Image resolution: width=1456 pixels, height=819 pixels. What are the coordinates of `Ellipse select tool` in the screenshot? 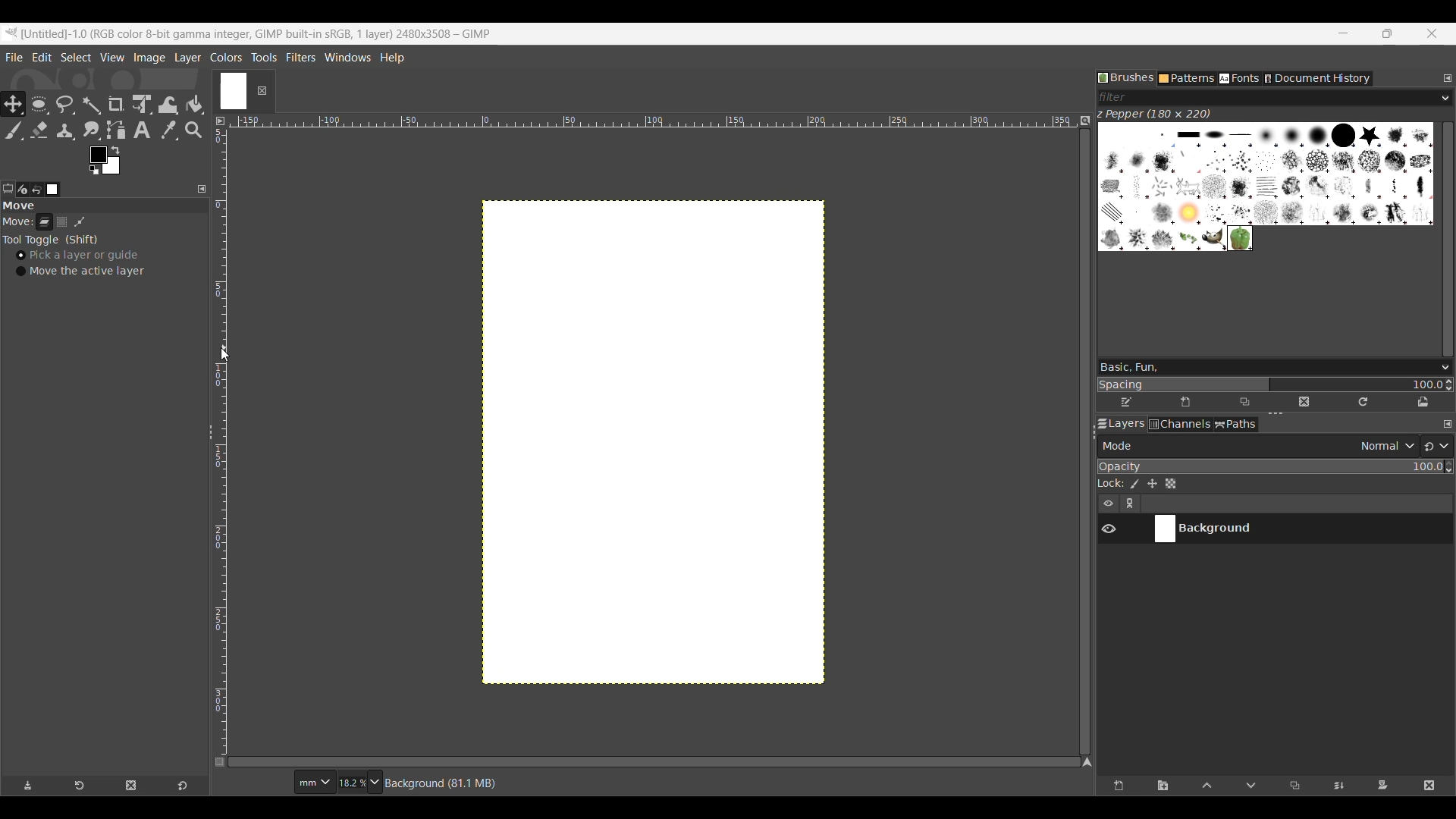 It's located at (37, 104).